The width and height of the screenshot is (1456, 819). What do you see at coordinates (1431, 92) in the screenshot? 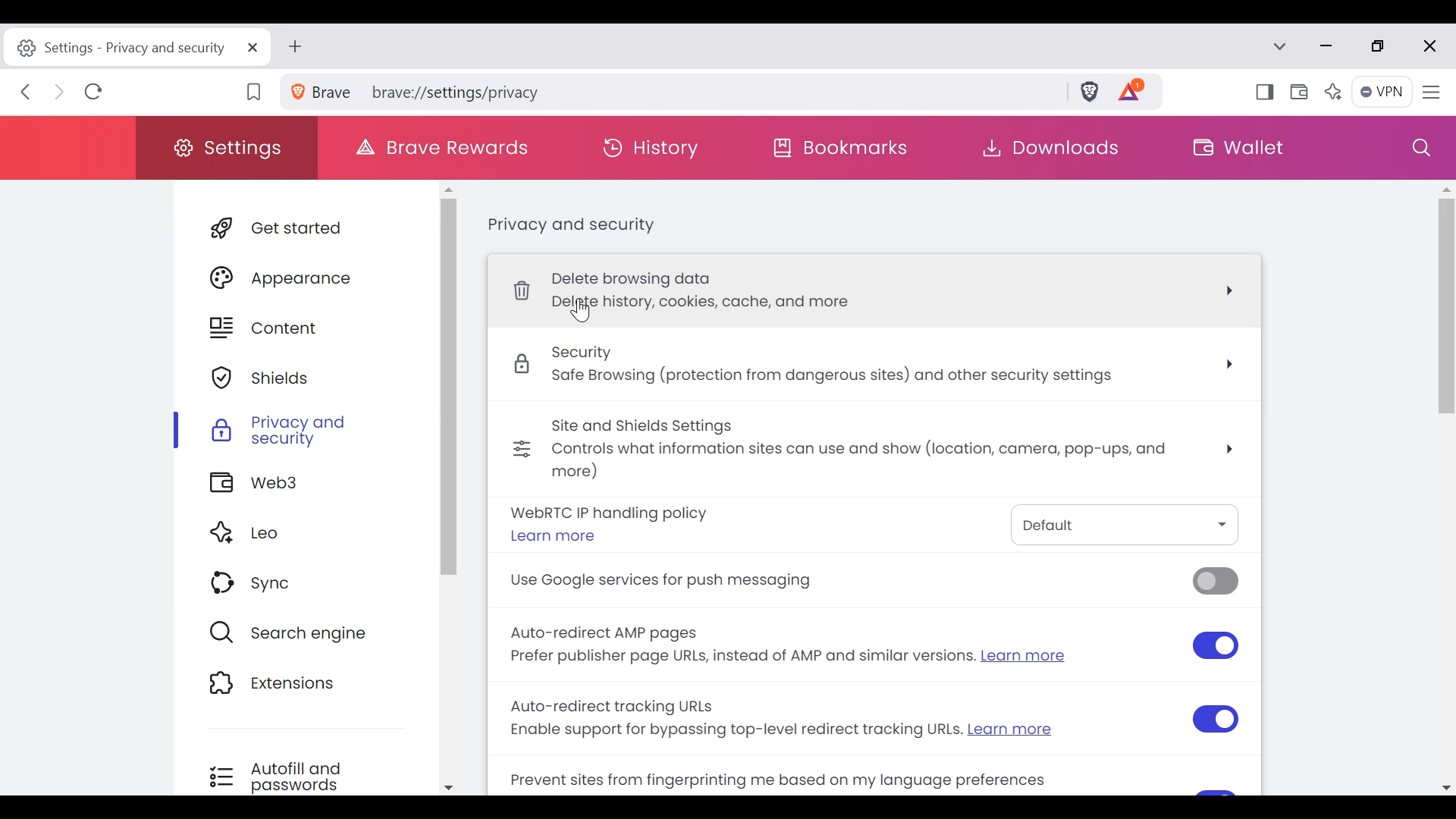
I see `Customize and Control` at bounding box center [1431, 92].